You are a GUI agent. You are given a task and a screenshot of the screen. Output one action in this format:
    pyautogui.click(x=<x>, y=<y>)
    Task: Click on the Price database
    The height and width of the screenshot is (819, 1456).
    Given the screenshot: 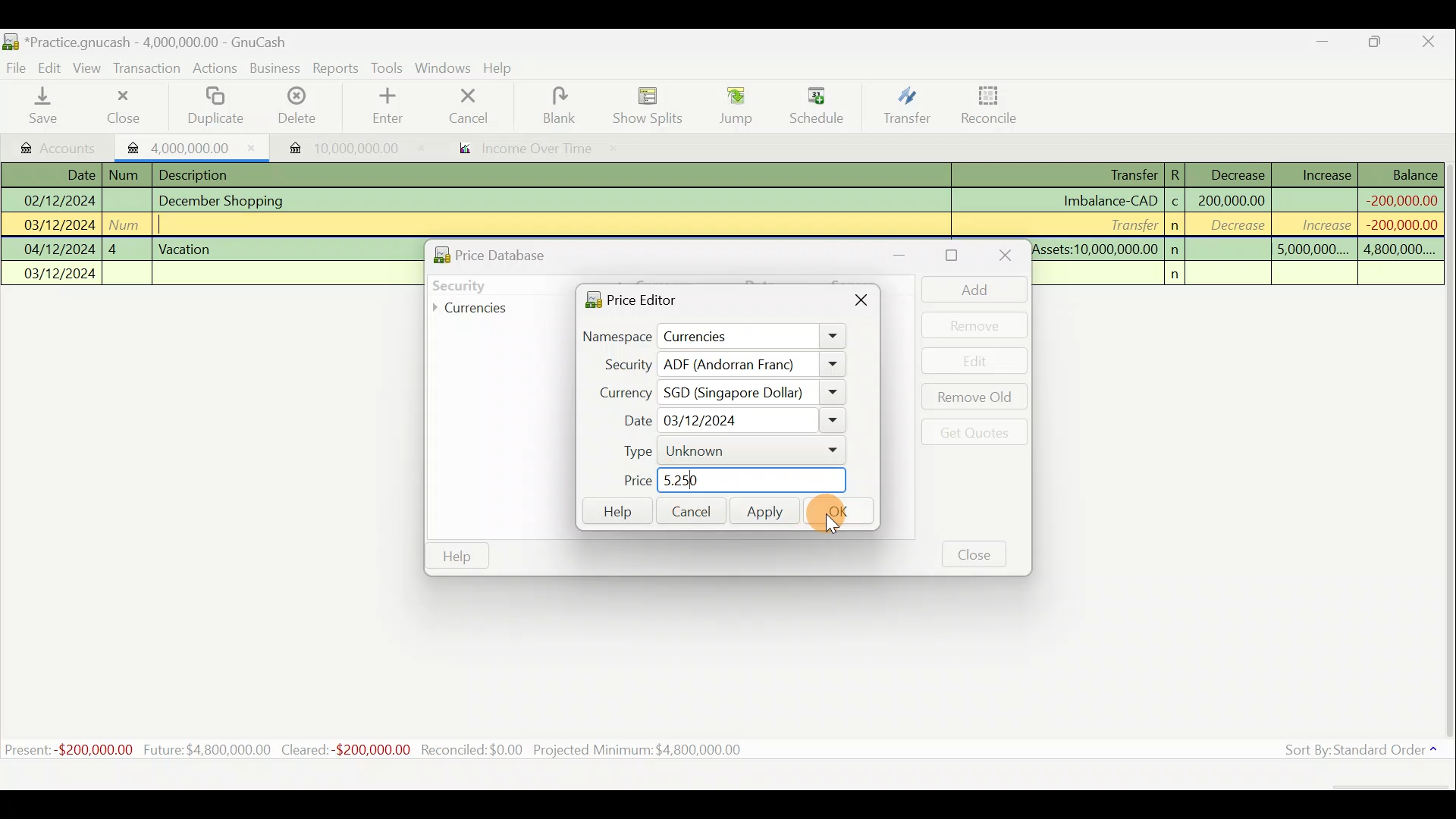 What is the action you would take?
    pyautogui.click(x=524, y=253)
    